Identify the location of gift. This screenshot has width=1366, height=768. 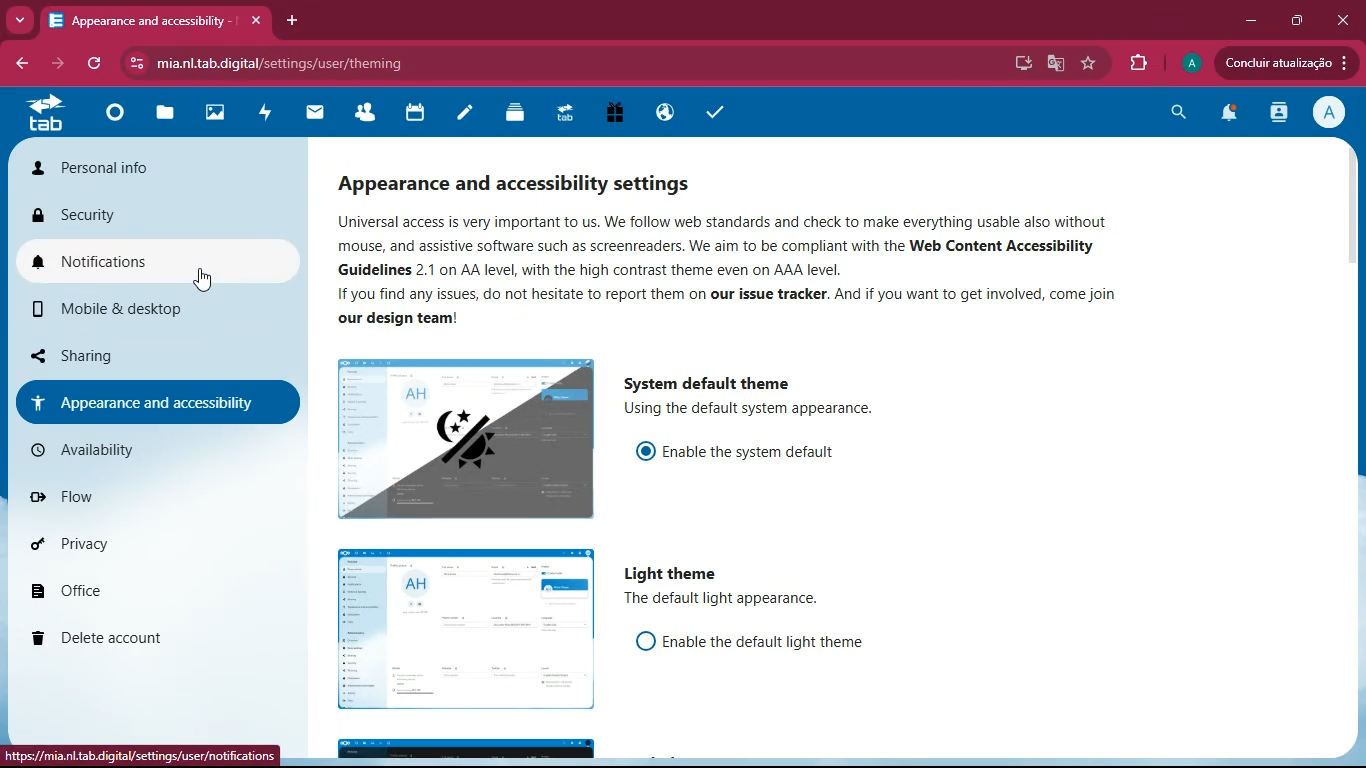
(617, 114).